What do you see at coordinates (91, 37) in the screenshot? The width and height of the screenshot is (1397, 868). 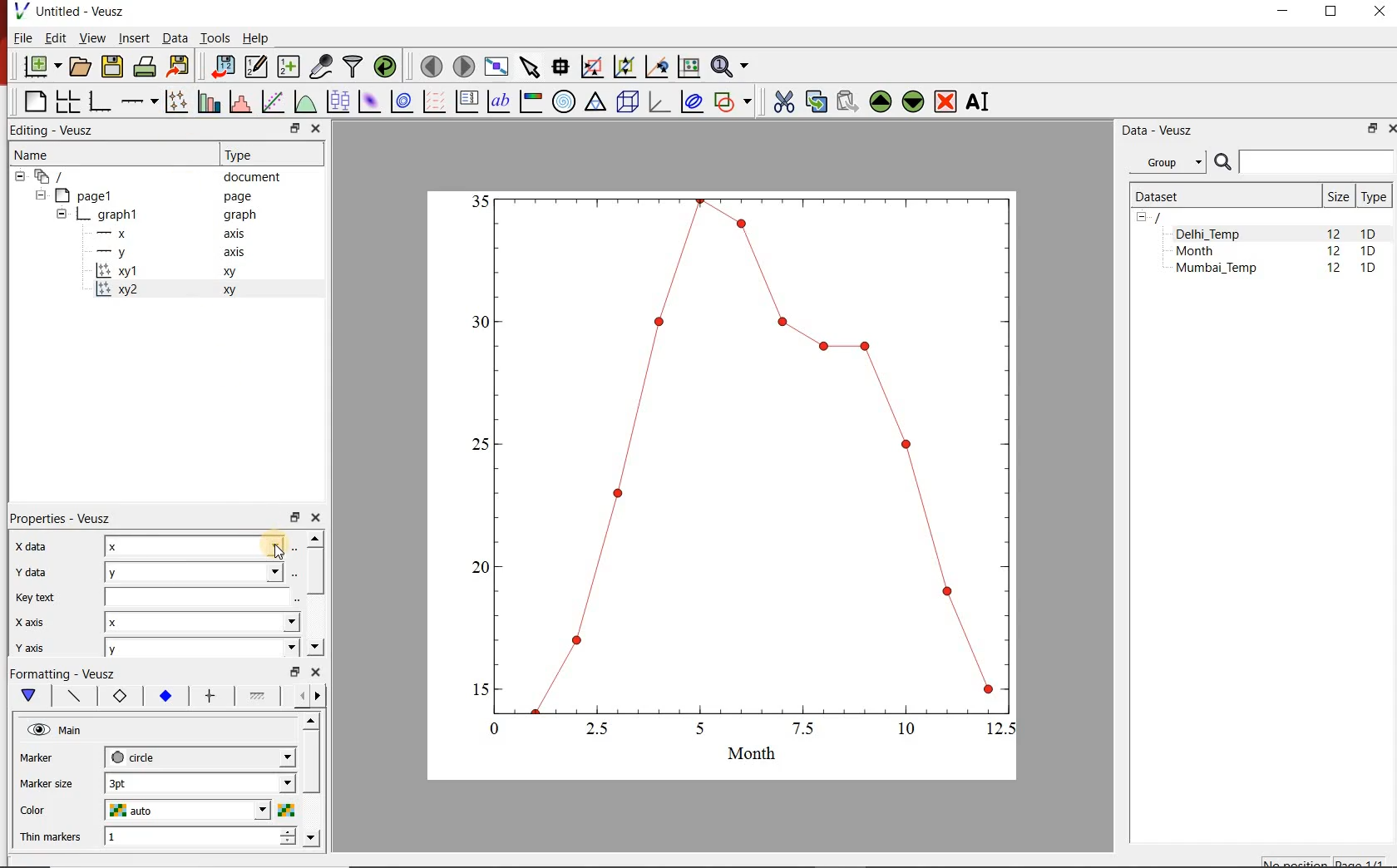 I see `View` at bounding box center [91, 37].